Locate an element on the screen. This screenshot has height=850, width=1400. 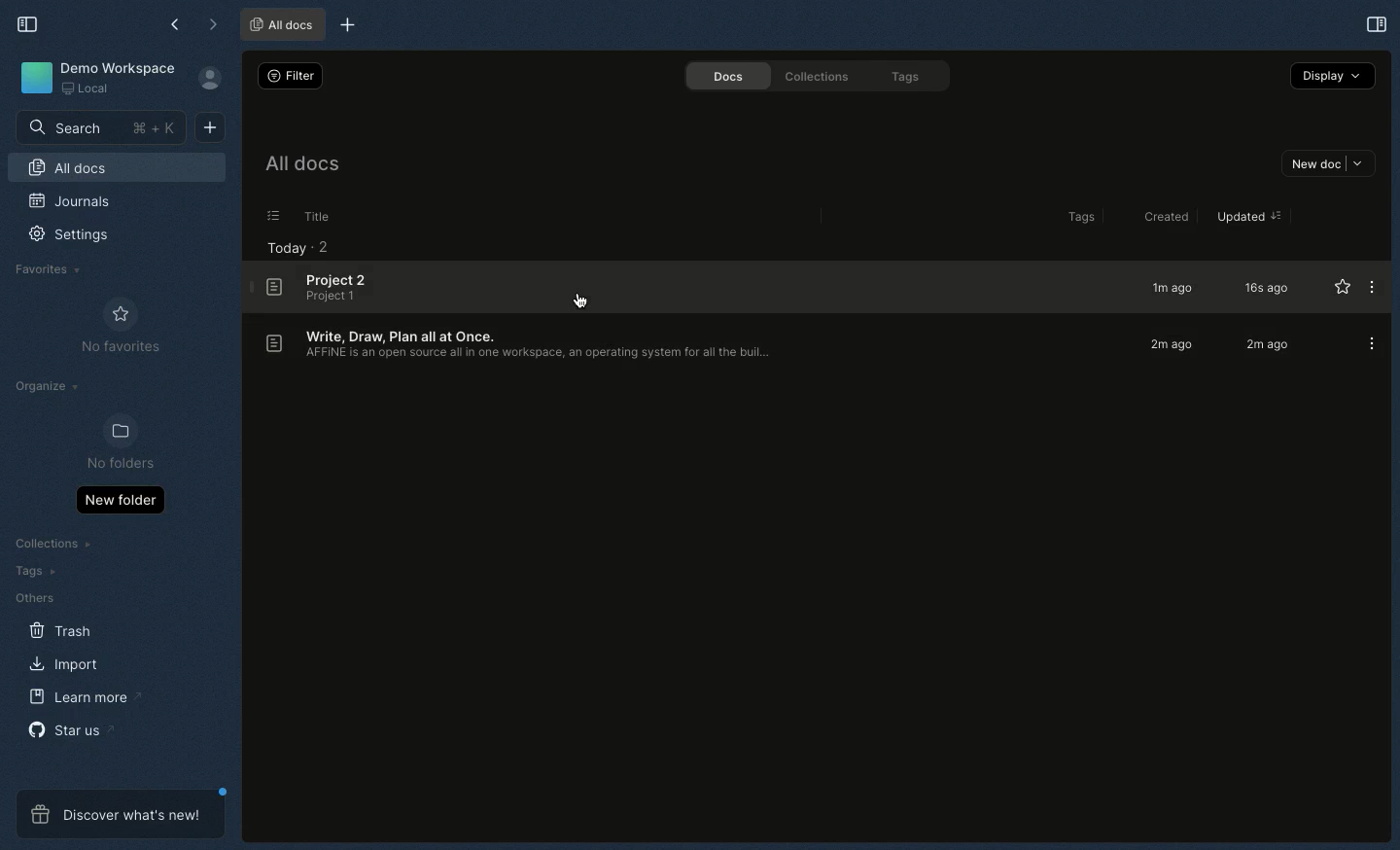
All docs is located at coordinates (74, 168).